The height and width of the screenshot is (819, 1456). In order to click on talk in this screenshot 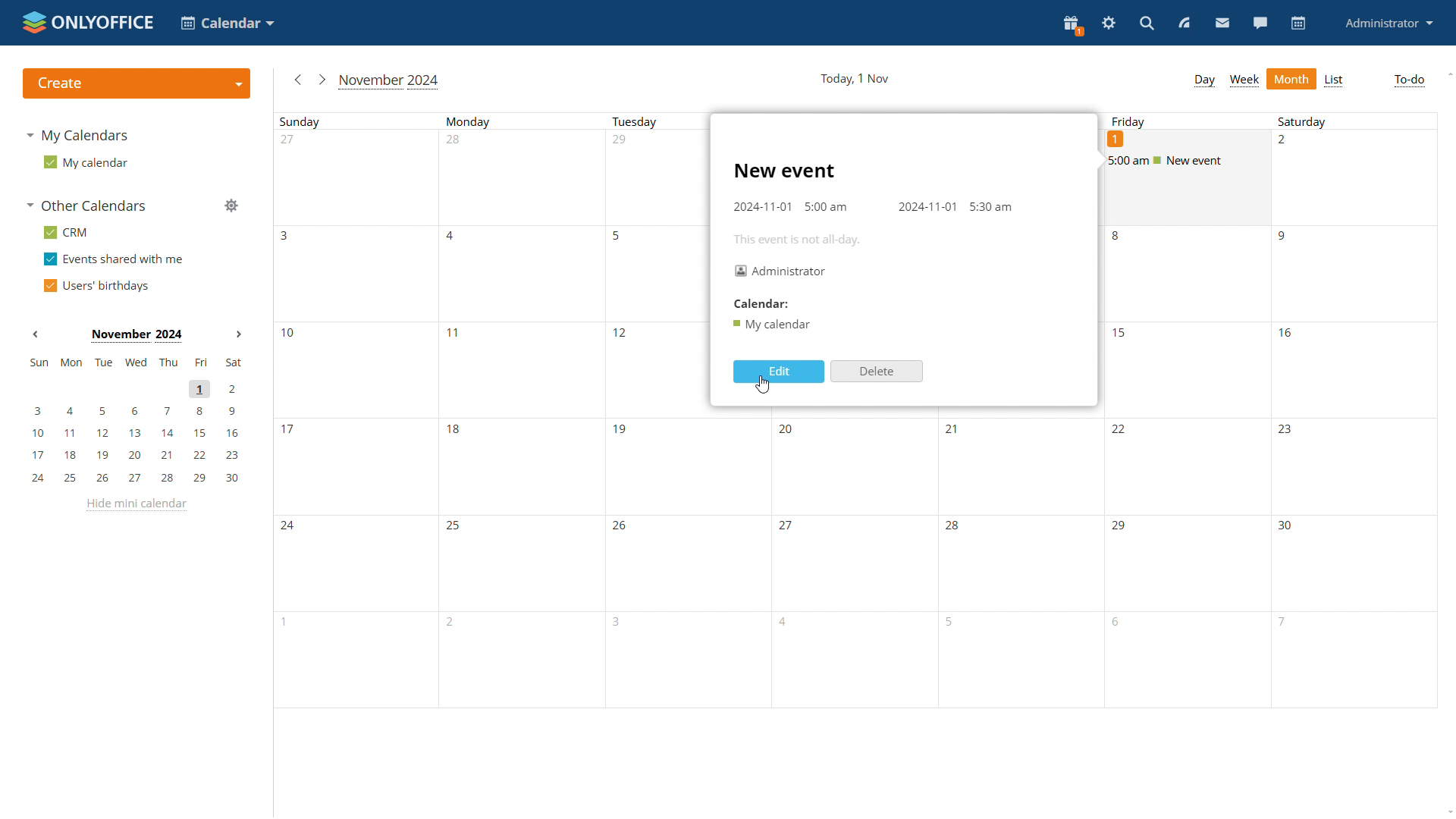, I will do `click(1260, 23)`.